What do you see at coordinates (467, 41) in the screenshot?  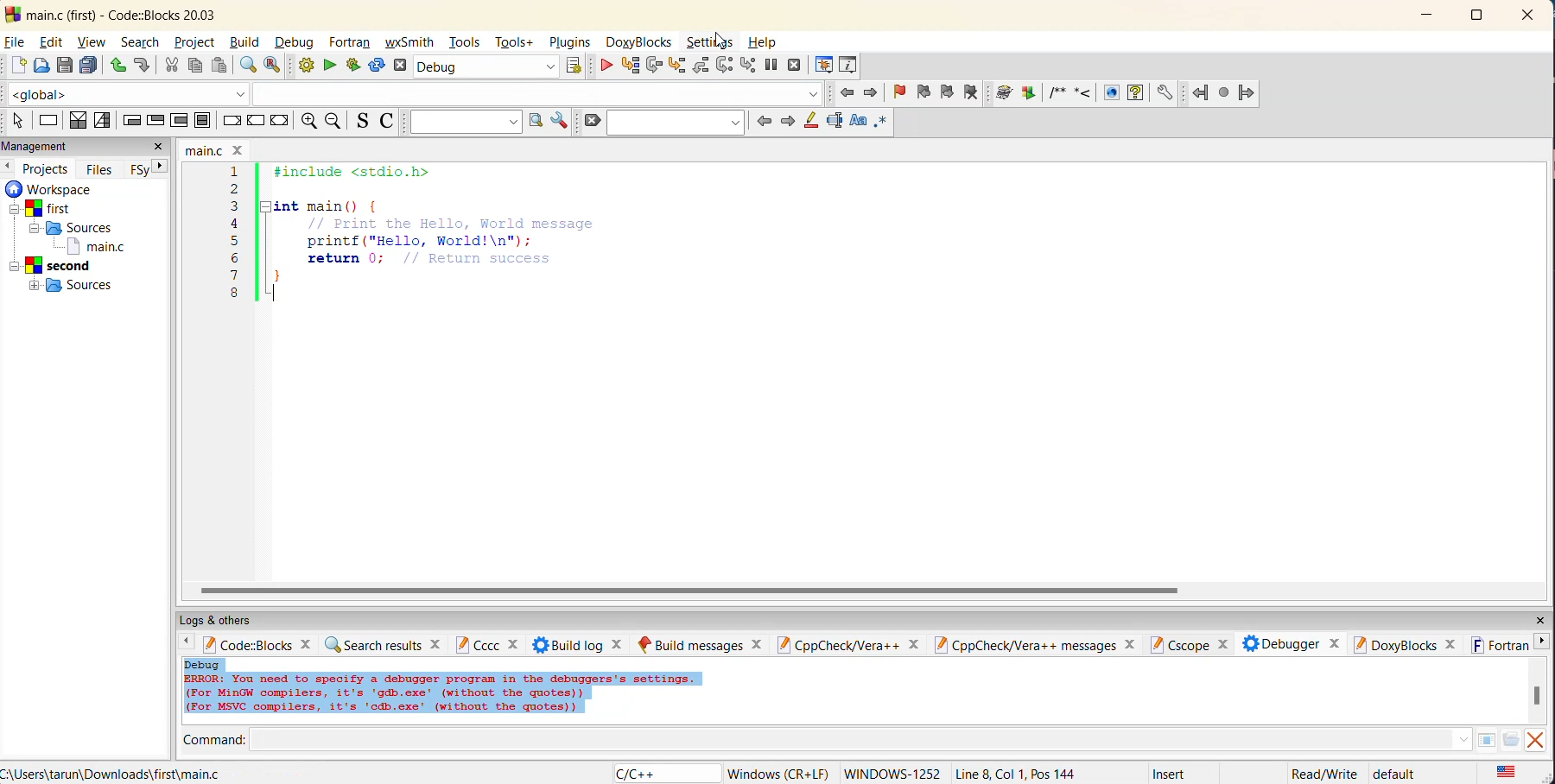 I see `tools` at bounding box center [467, 41].